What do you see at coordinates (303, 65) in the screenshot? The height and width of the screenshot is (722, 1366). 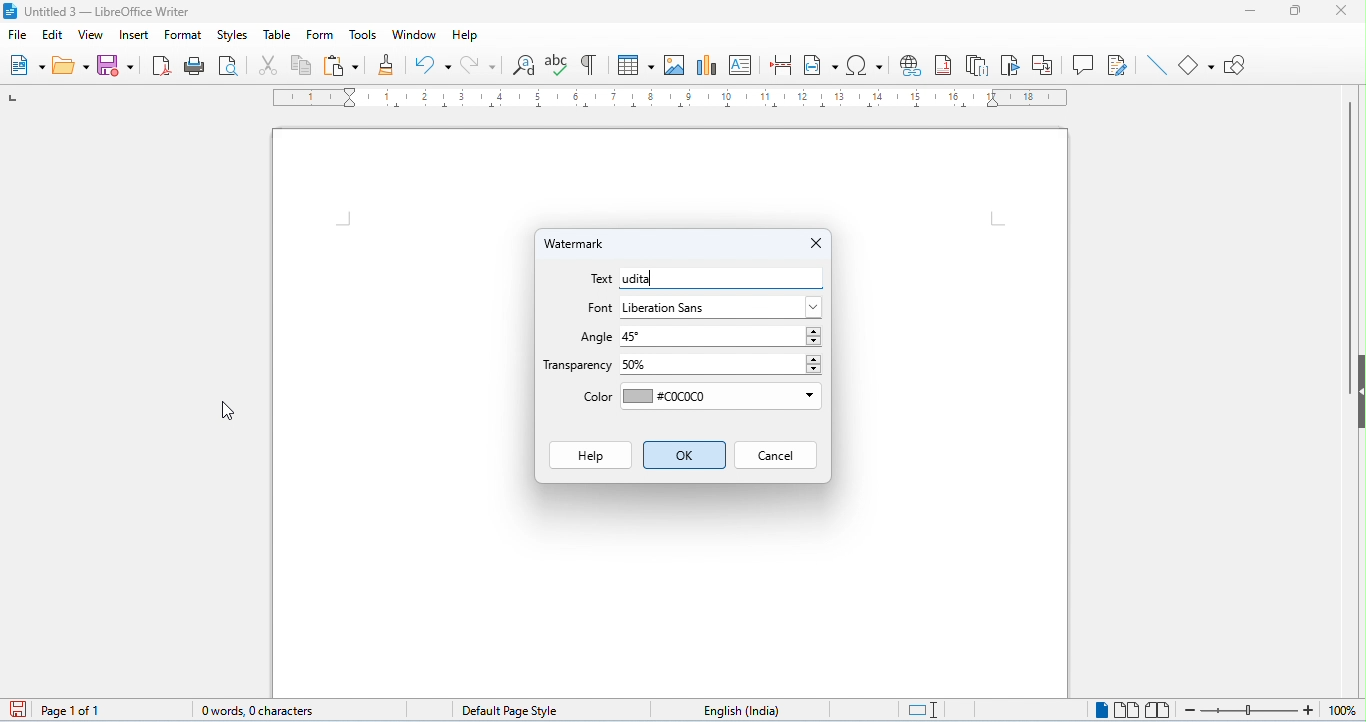 I see `copy` at bounding box center [303, 65].